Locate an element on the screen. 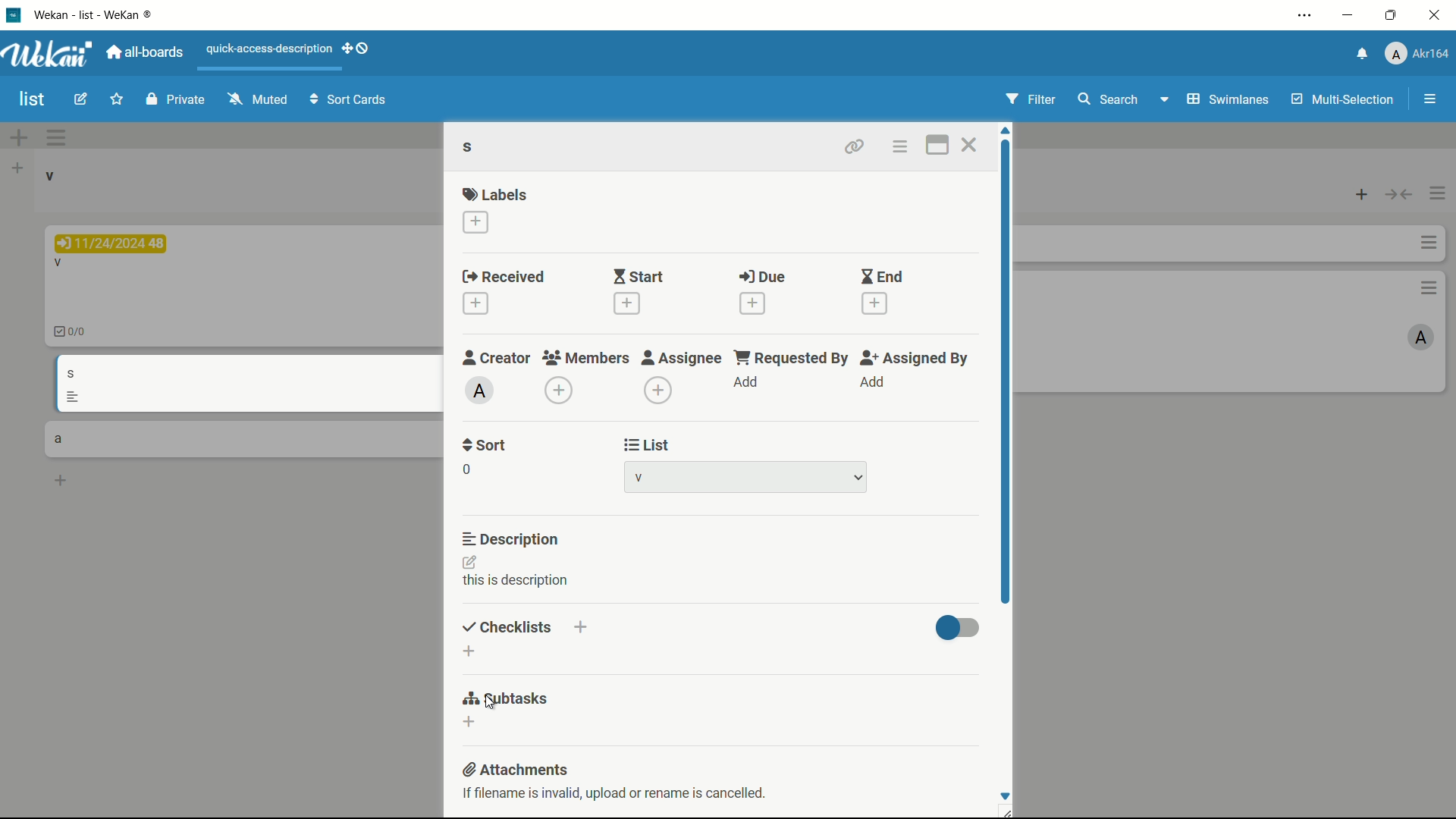  search is located at coordinates (1109, 99).